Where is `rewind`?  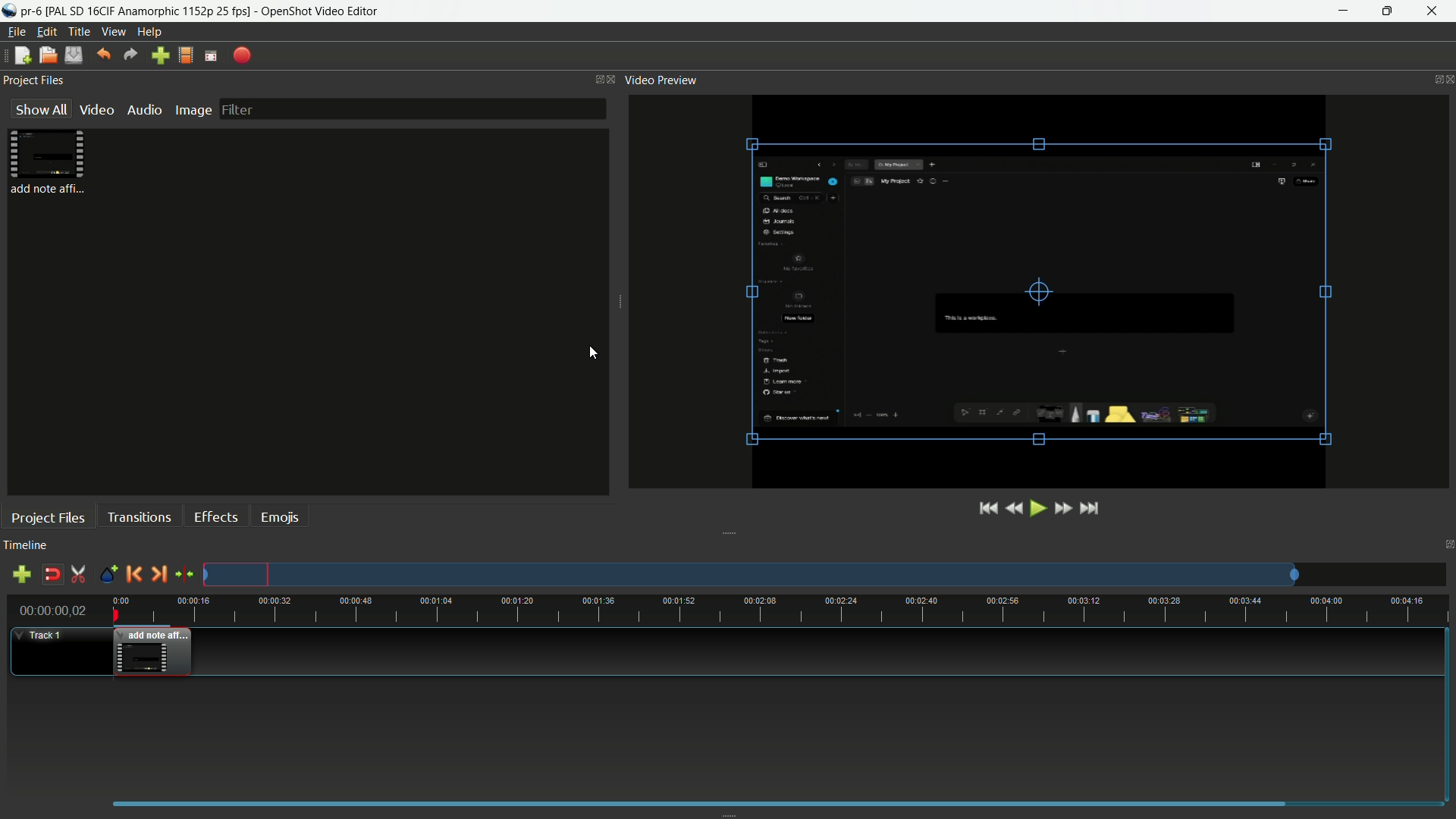 rewind is located at coordinates (1014, 508).